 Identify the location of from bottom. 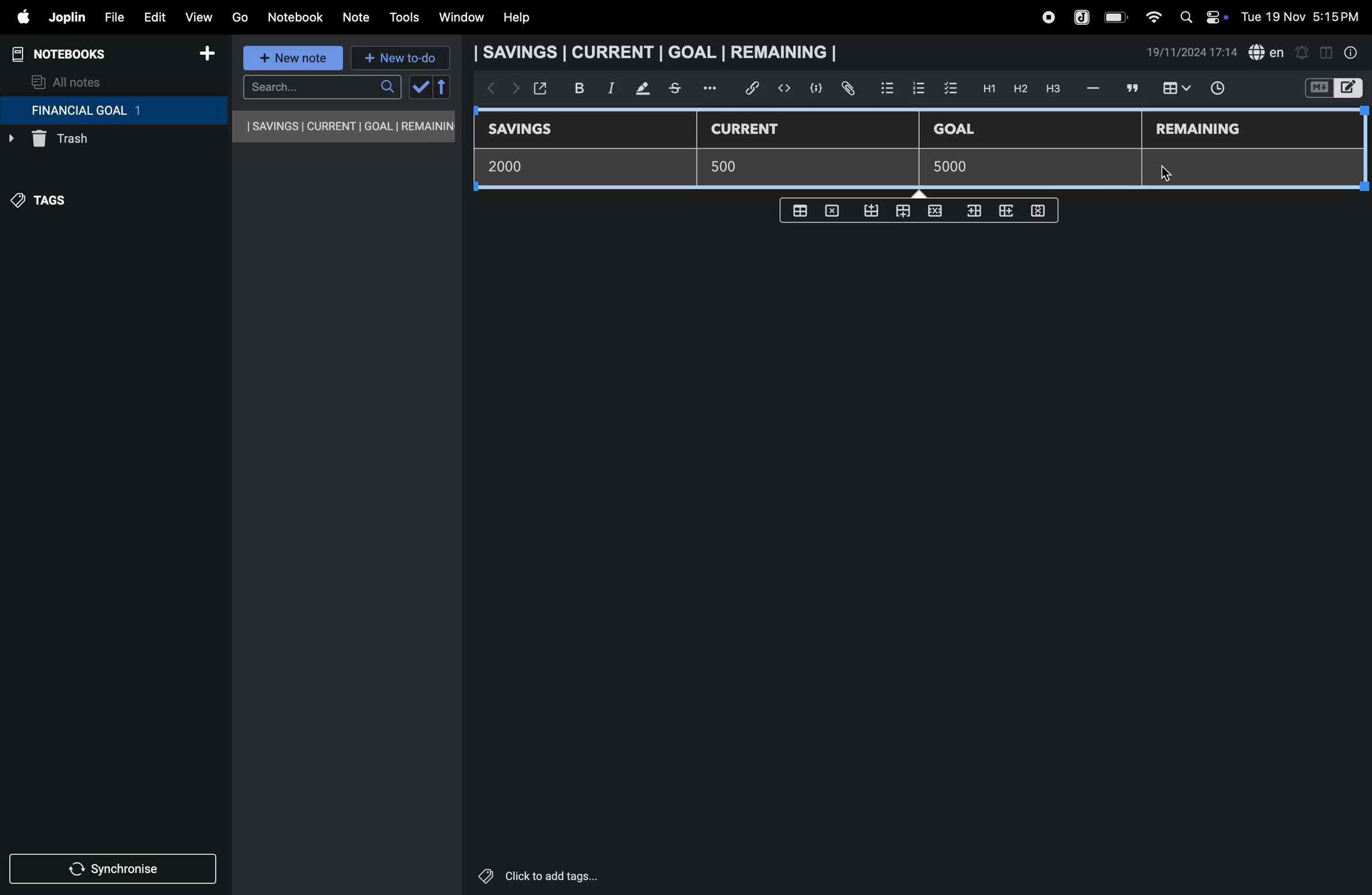
(872, 211).